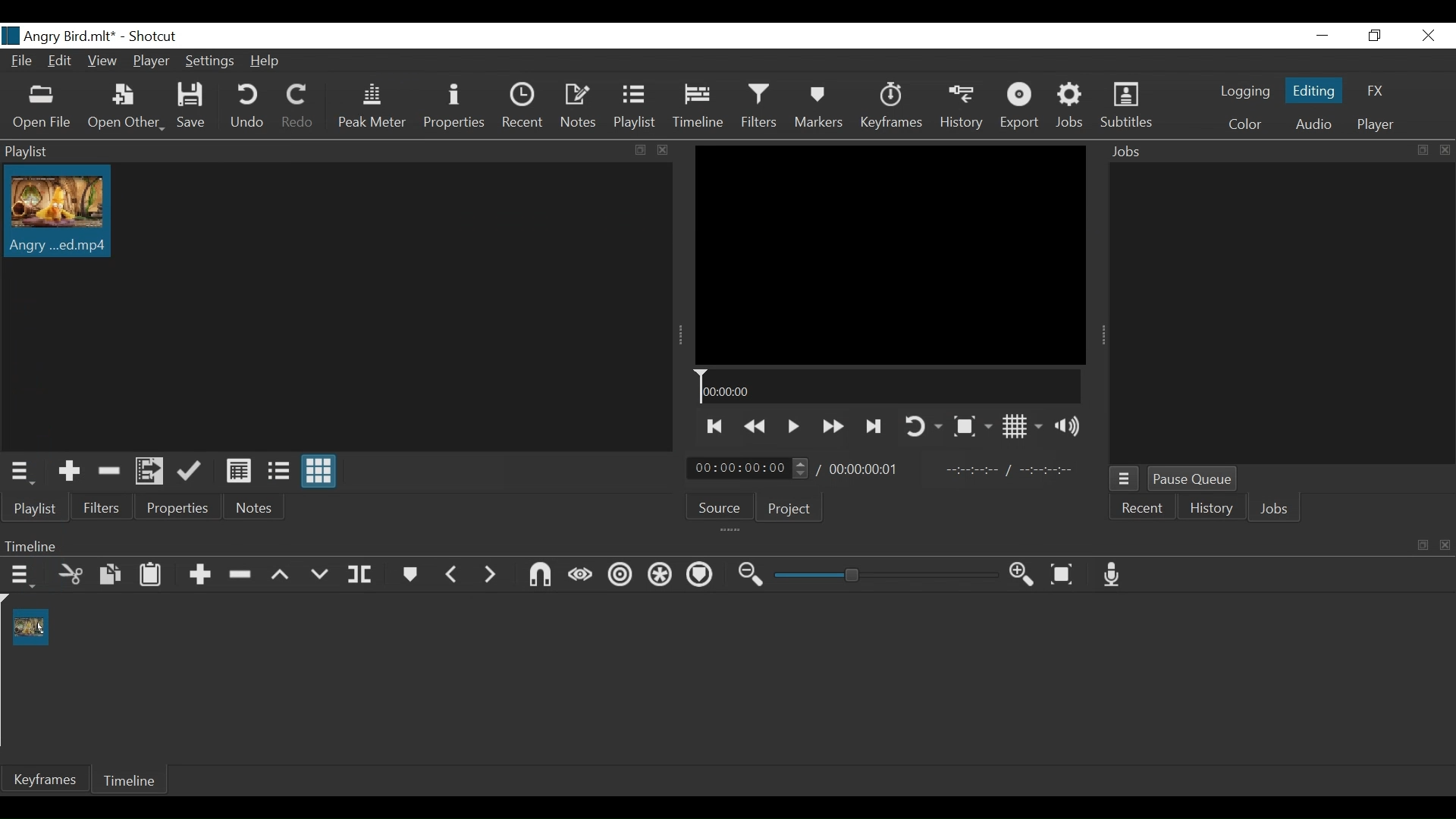 The height and width of the screenshot is (819, 1456). Describe the element at coordinates (35, 507) in the screenshot. I see `Playlist` at that location.